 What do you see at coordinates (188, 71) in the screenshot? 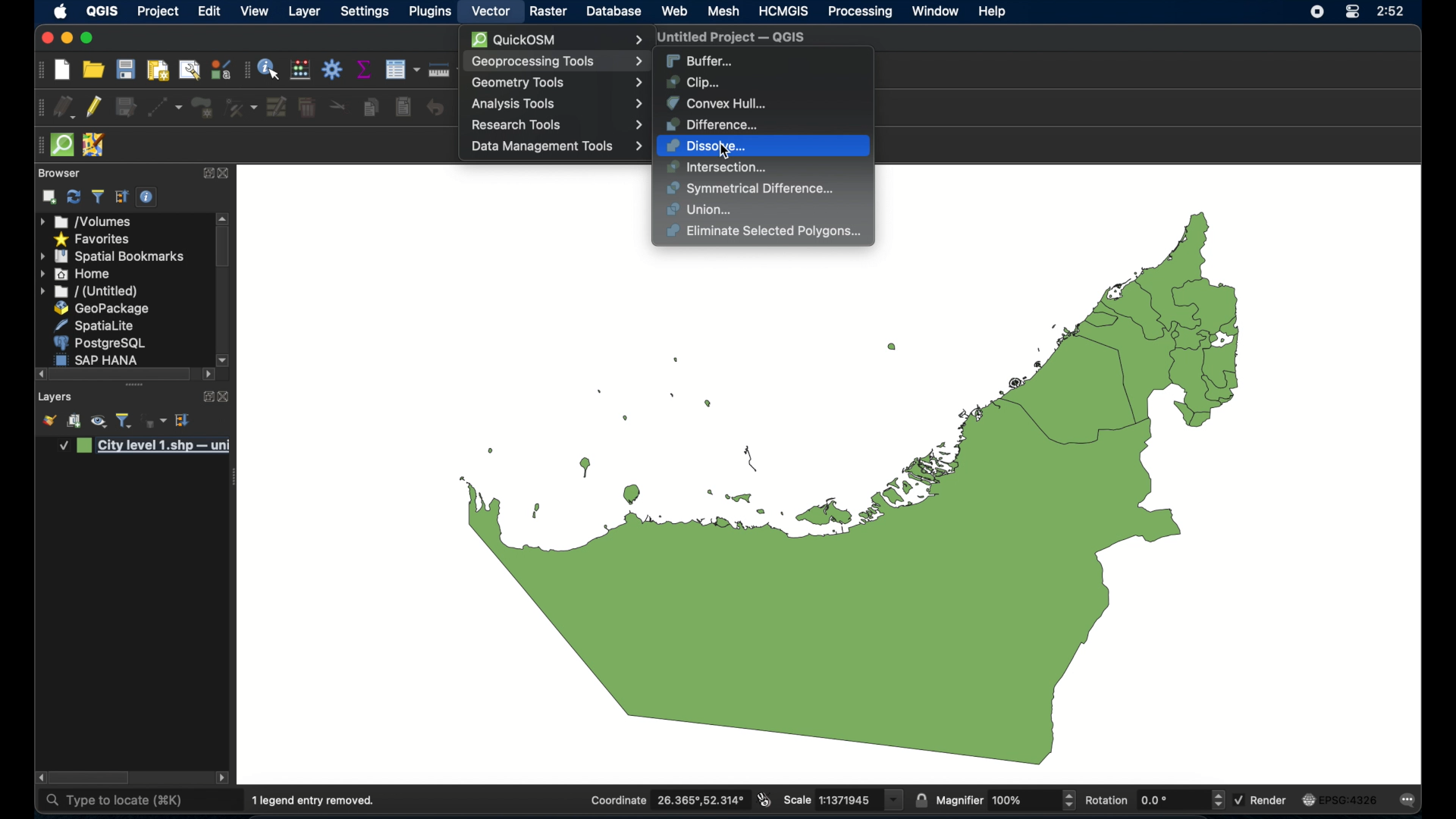
I see `open layout manager` at bounding box center [188, 71].